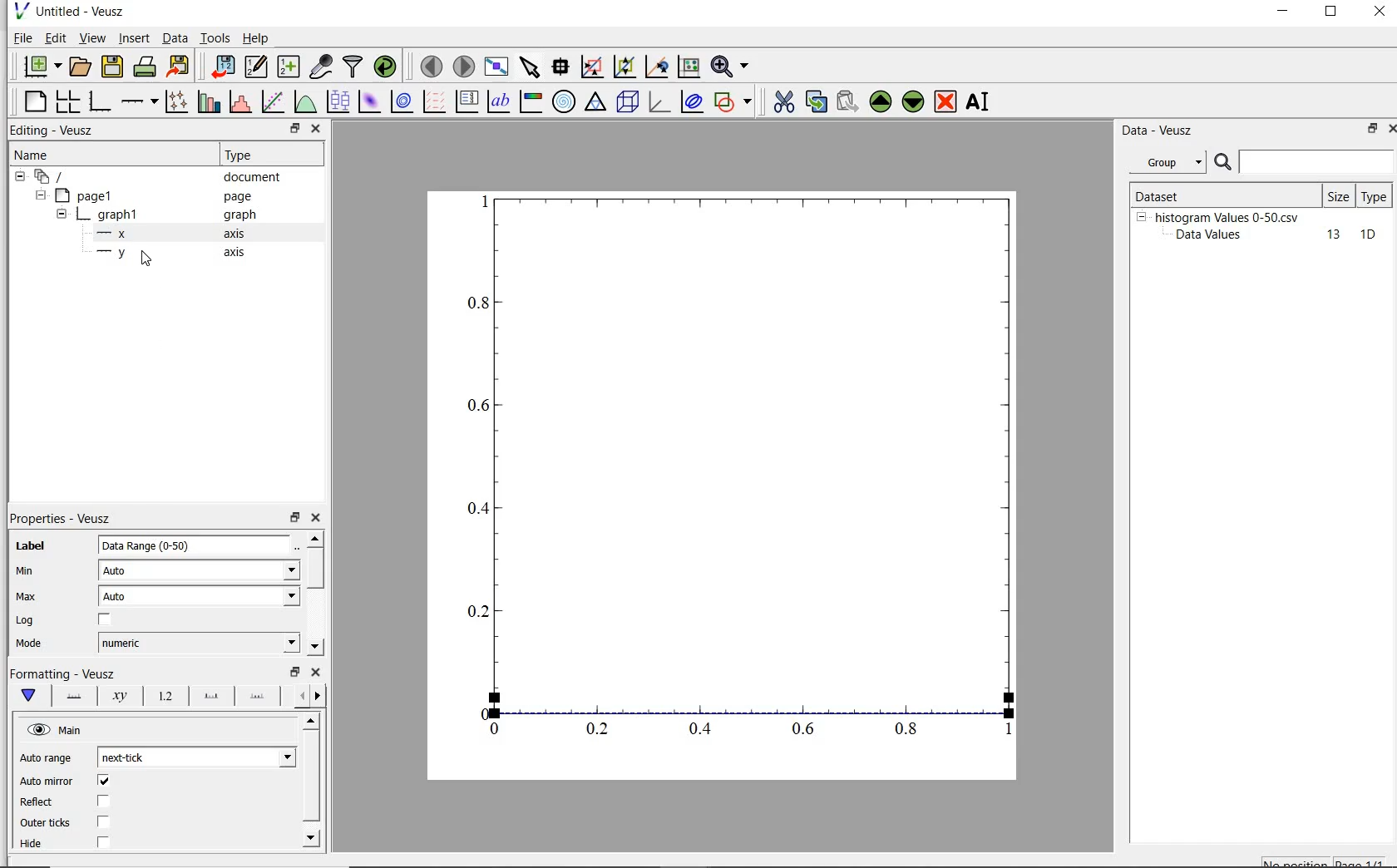 Image resolution: width=1397 pixels, height=868 pixels. What do you see at coordinates (1331, 13) in the screenshot?
I see `restore down` at bounding box center [1331, 13].